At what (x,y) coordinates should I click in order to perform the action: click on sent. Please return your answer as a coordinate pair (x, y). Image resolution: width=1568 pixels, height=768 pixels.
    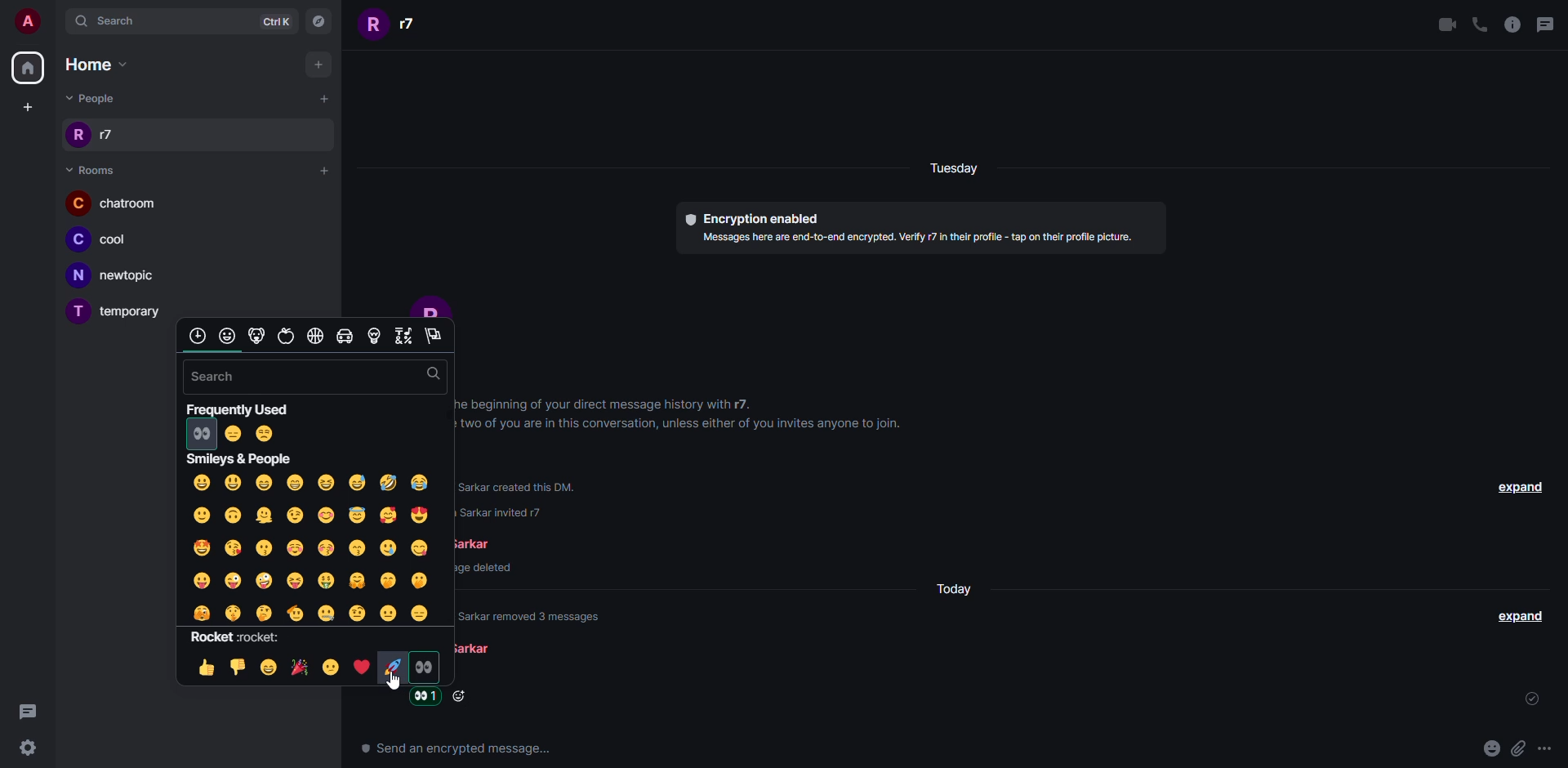
    Looking at the image, I should click on (1526, 699).